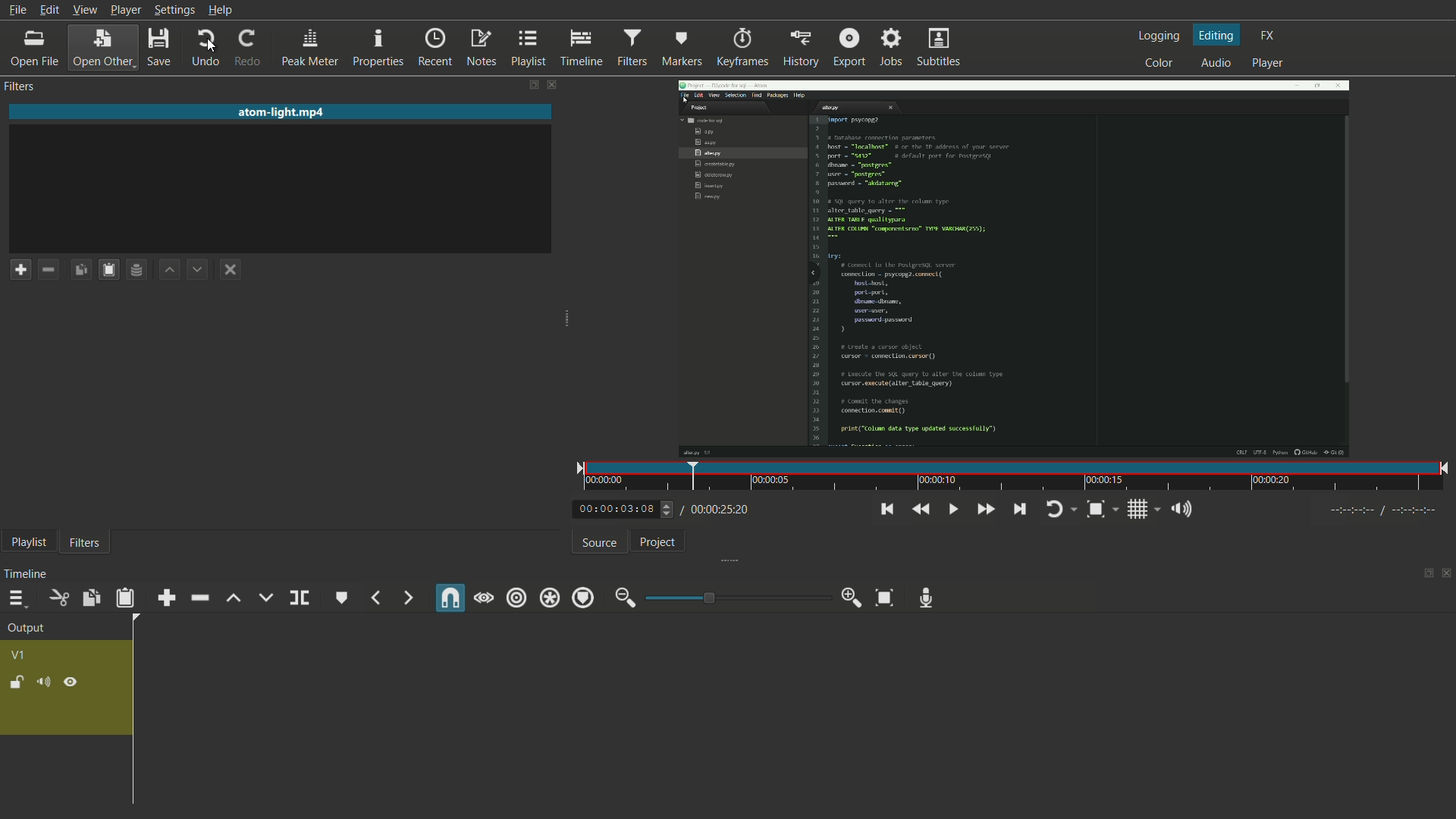 The width and height of the screenshot is (1456, 819). What do you see at coordinates (245, 46) in the screenshot?
I see `Redo` at bounding box center [245, 46].